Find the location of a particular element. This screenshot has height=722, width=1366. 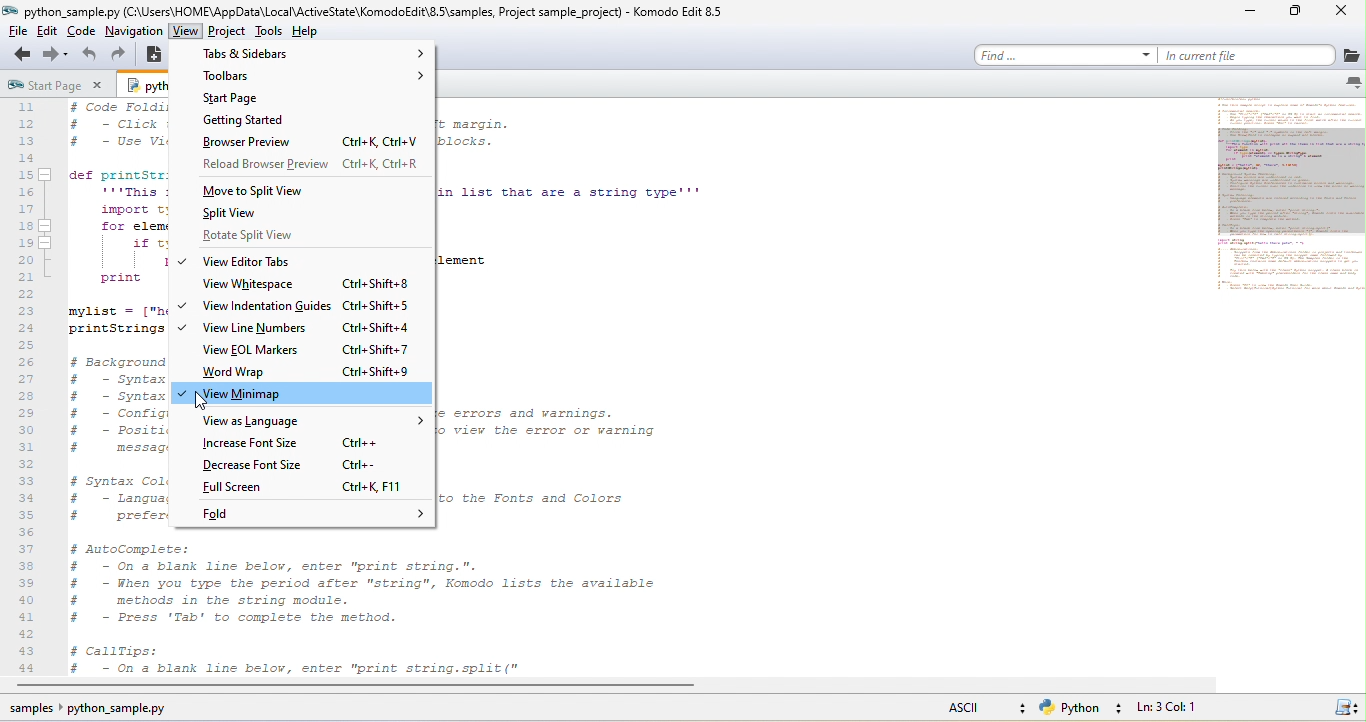

view whitespace is located at coordinates (302, 284).